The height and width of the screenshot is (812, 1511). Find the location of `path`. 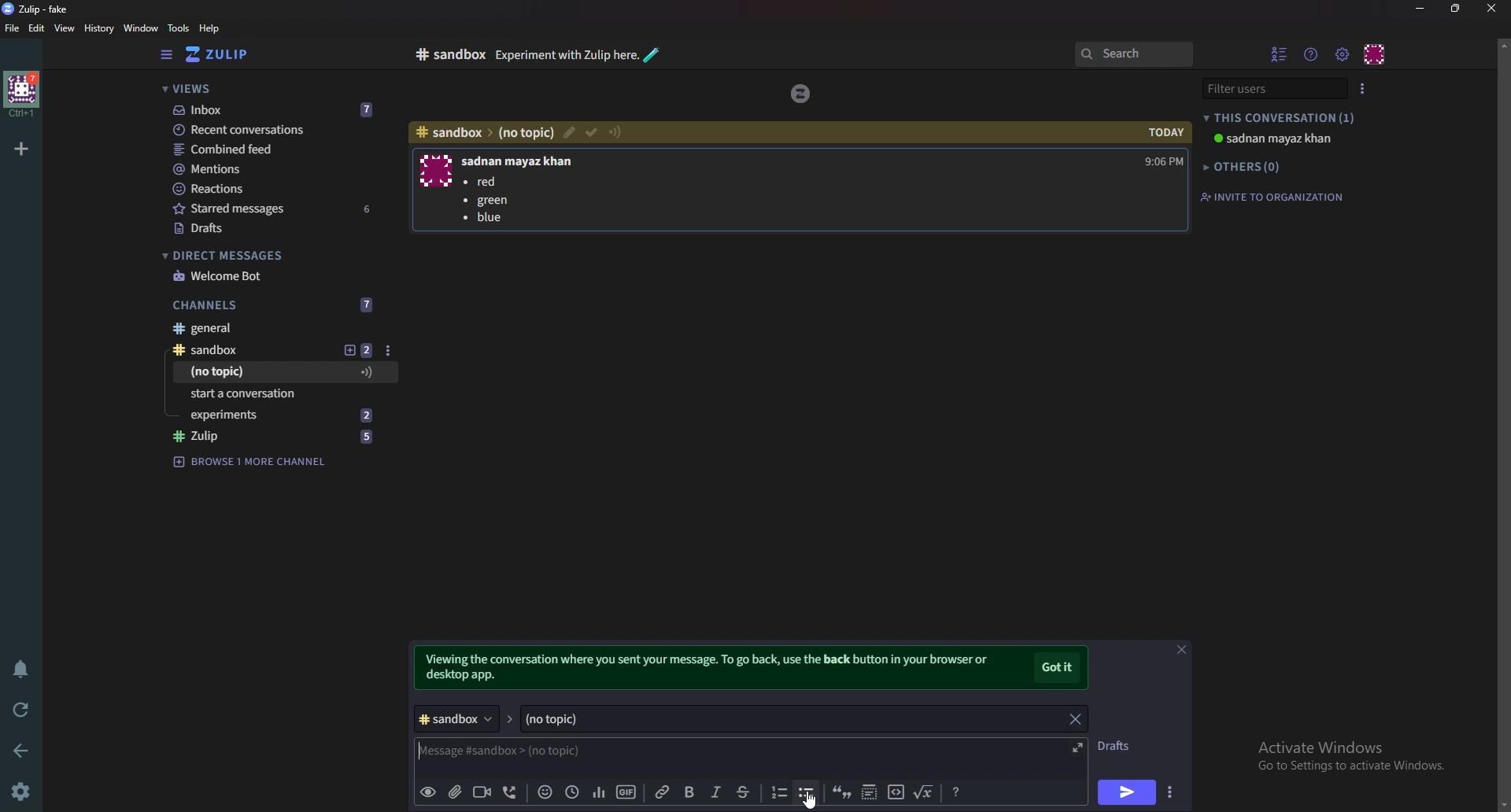

path is located at coordinates (485, 133).